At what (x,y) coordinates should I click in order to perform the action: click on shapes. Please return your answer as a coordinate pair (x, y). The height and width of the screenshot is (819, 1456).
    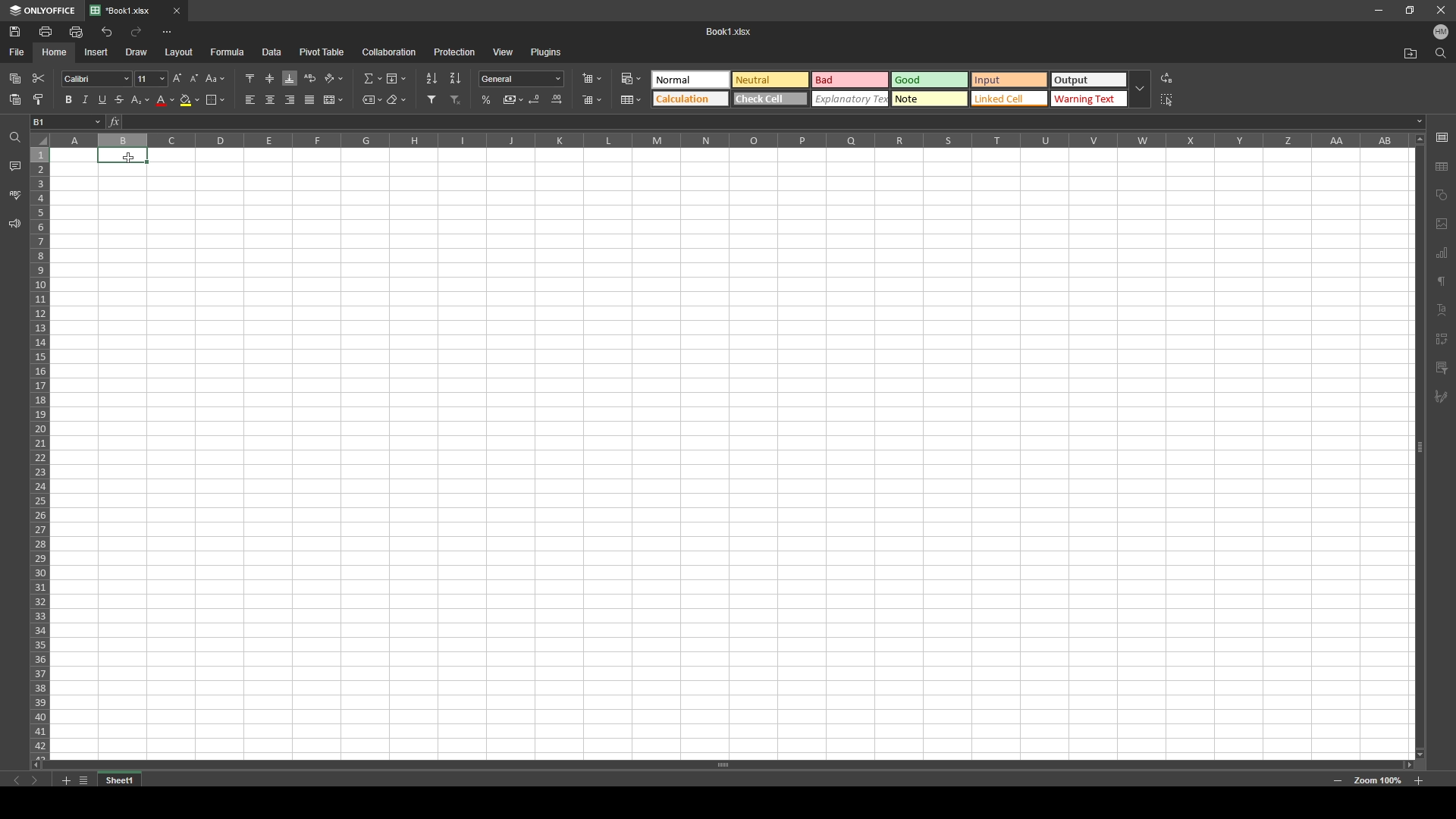
    Looking at the image, I should click on (1442, 194).